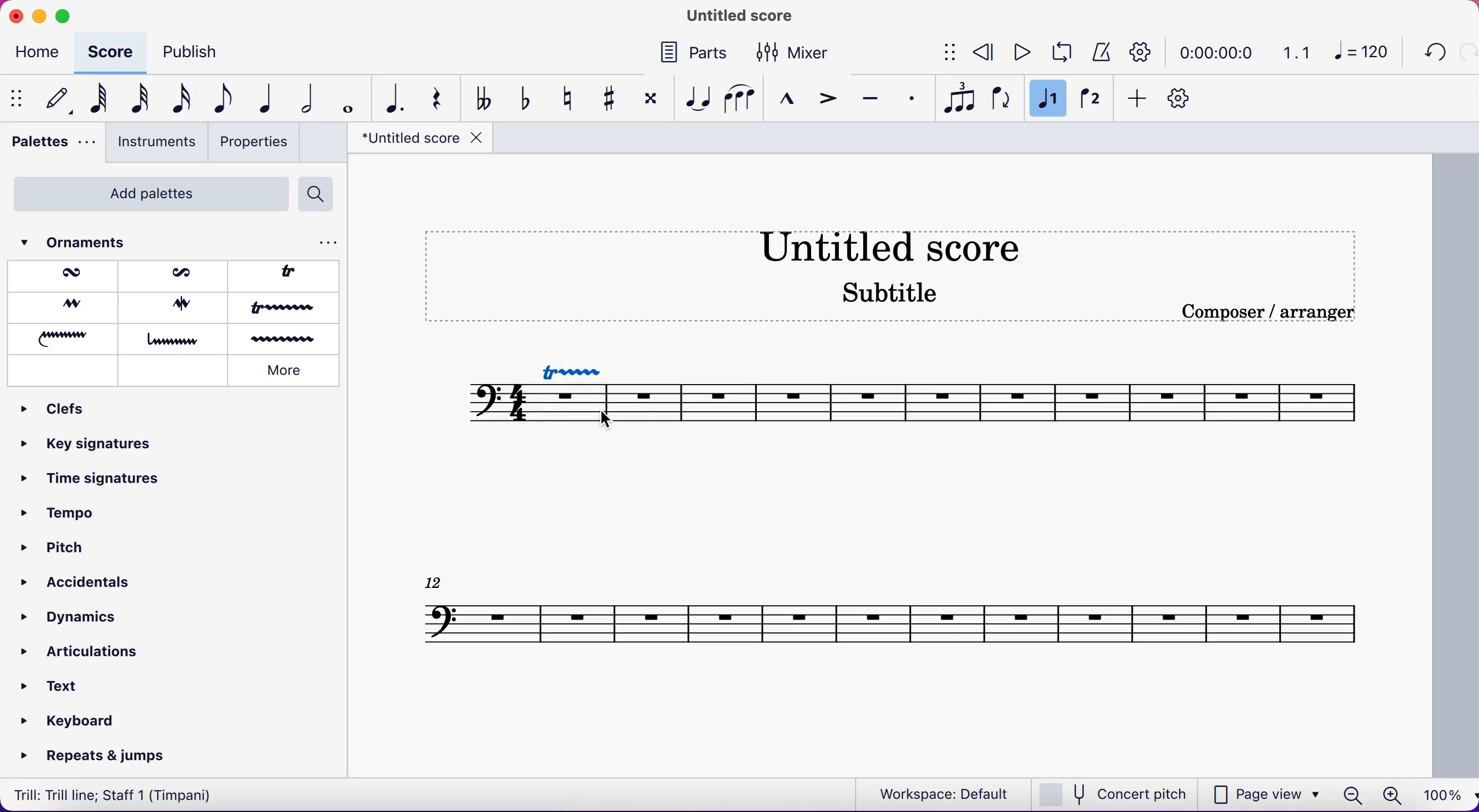  Describe the element at coordinates (72, 720) in the screenshot. I see `keyboard` at that location.